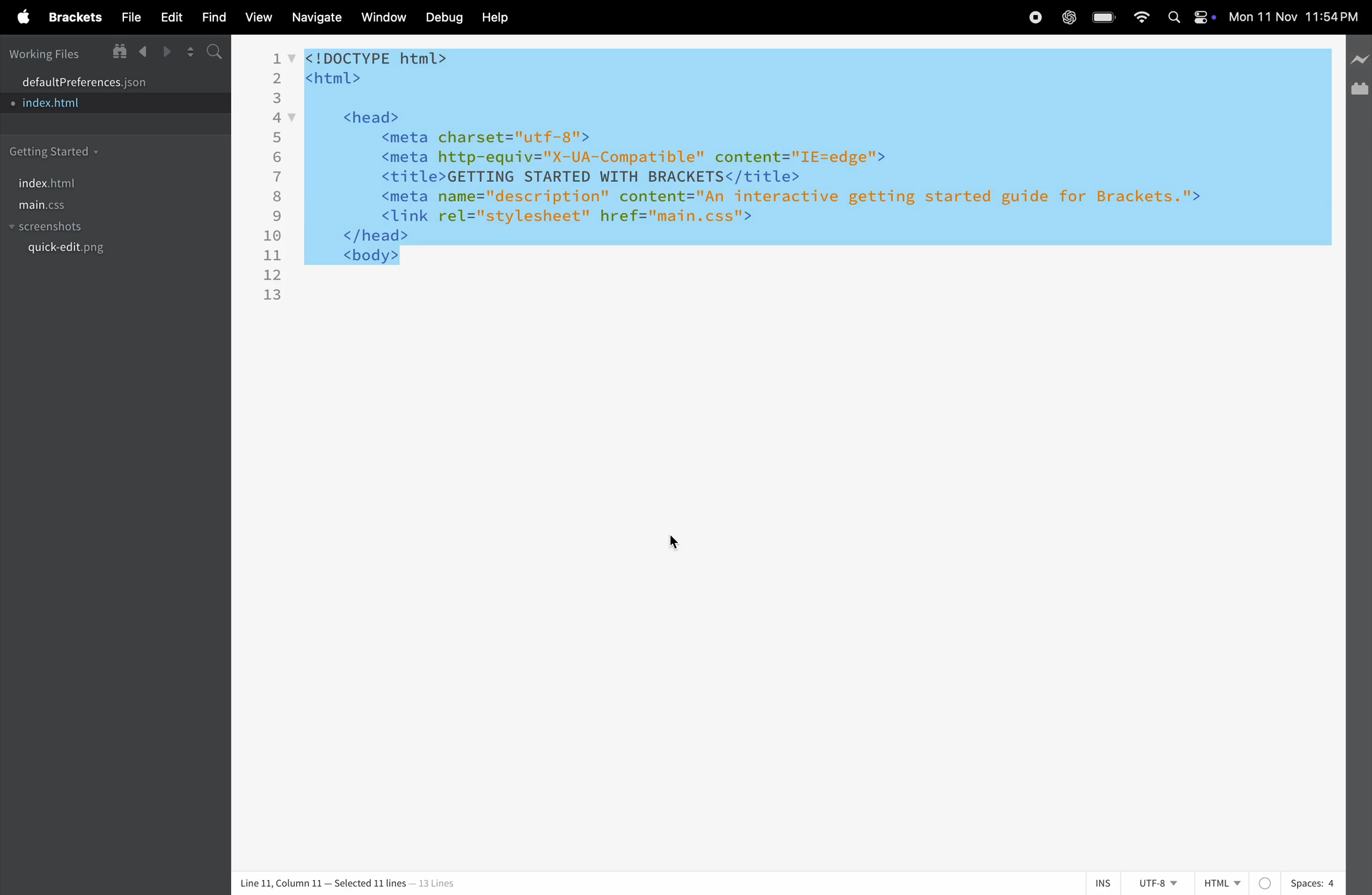  Describe the element at coordinates (344, 881) in the screenshot. I see `column and lines` at that location.